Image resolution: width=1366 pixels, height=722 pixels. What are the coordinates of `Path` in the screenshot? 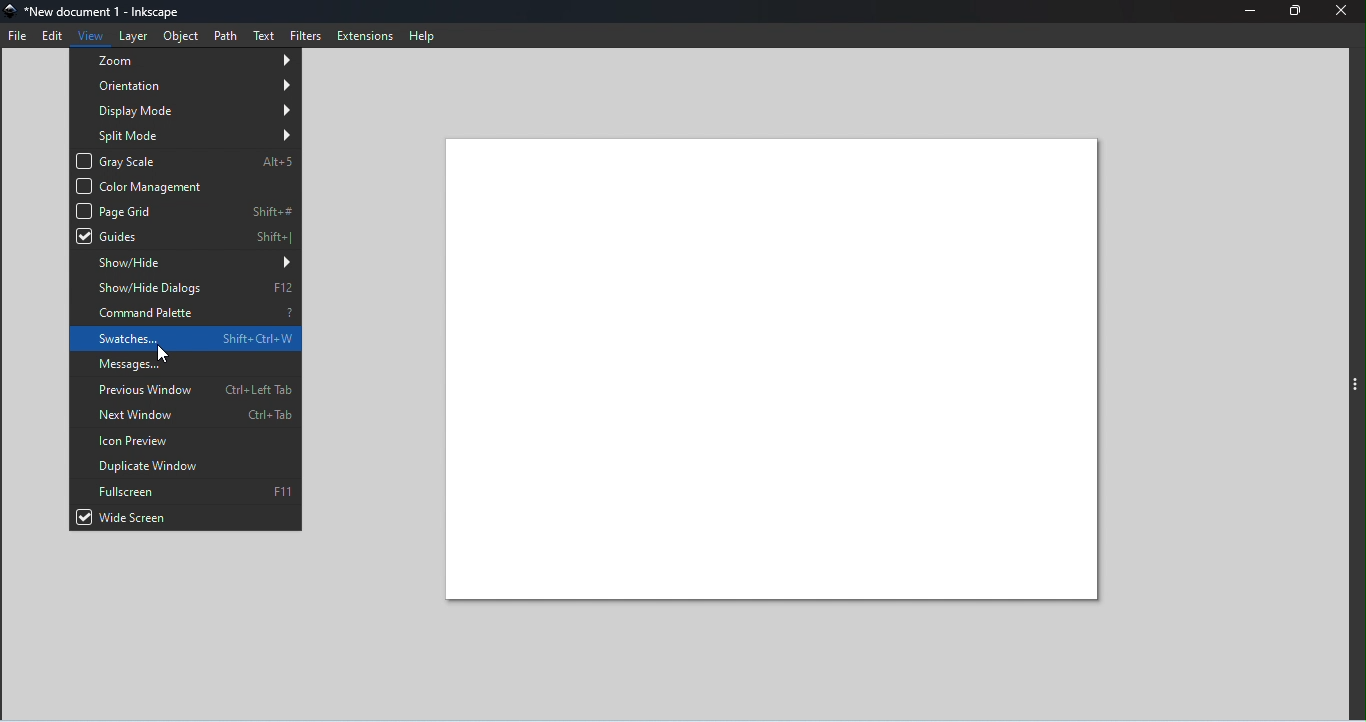 It's located at (230, 36).